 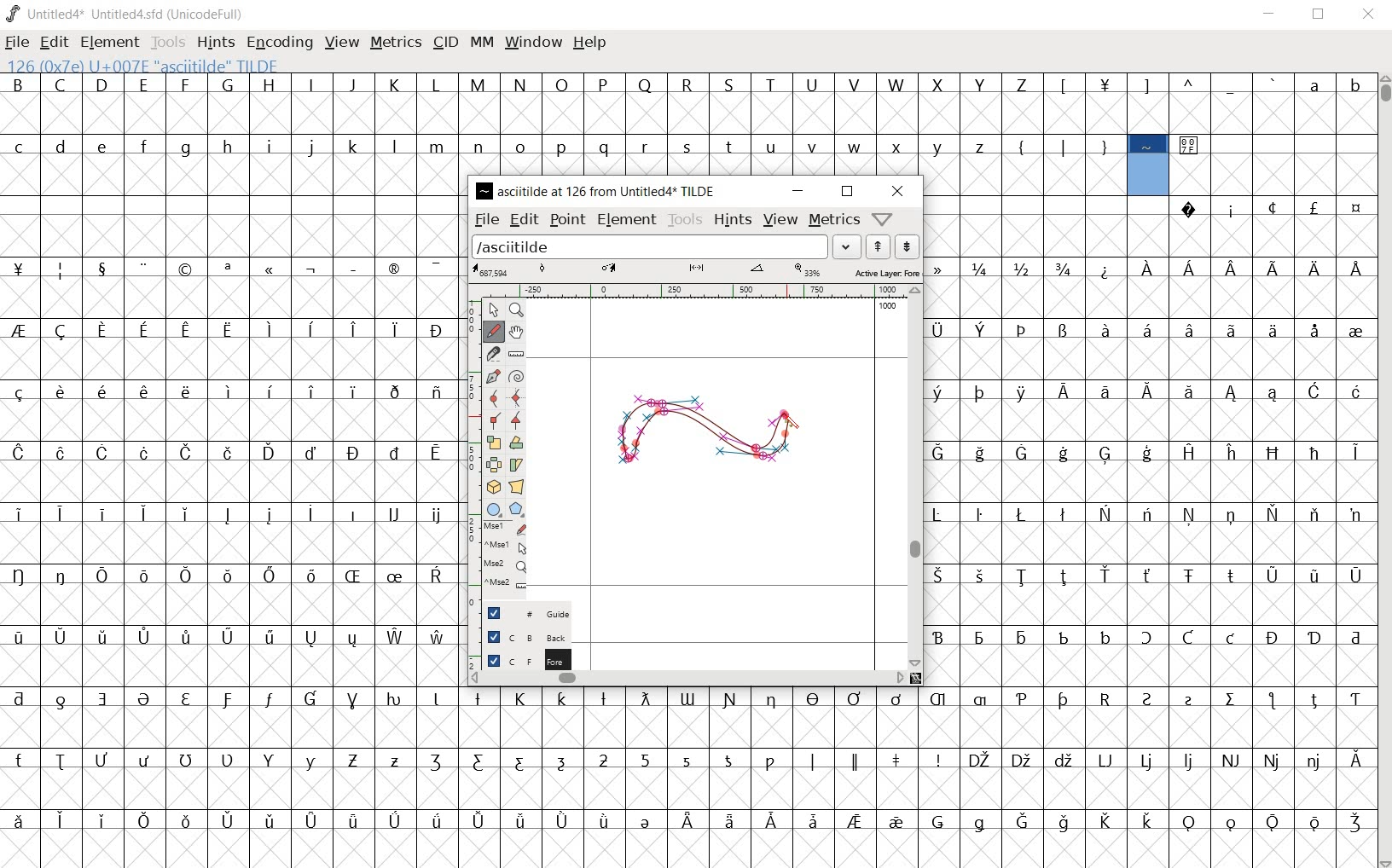 I want to click on active layer: FORE, so click(x=694, y=271).